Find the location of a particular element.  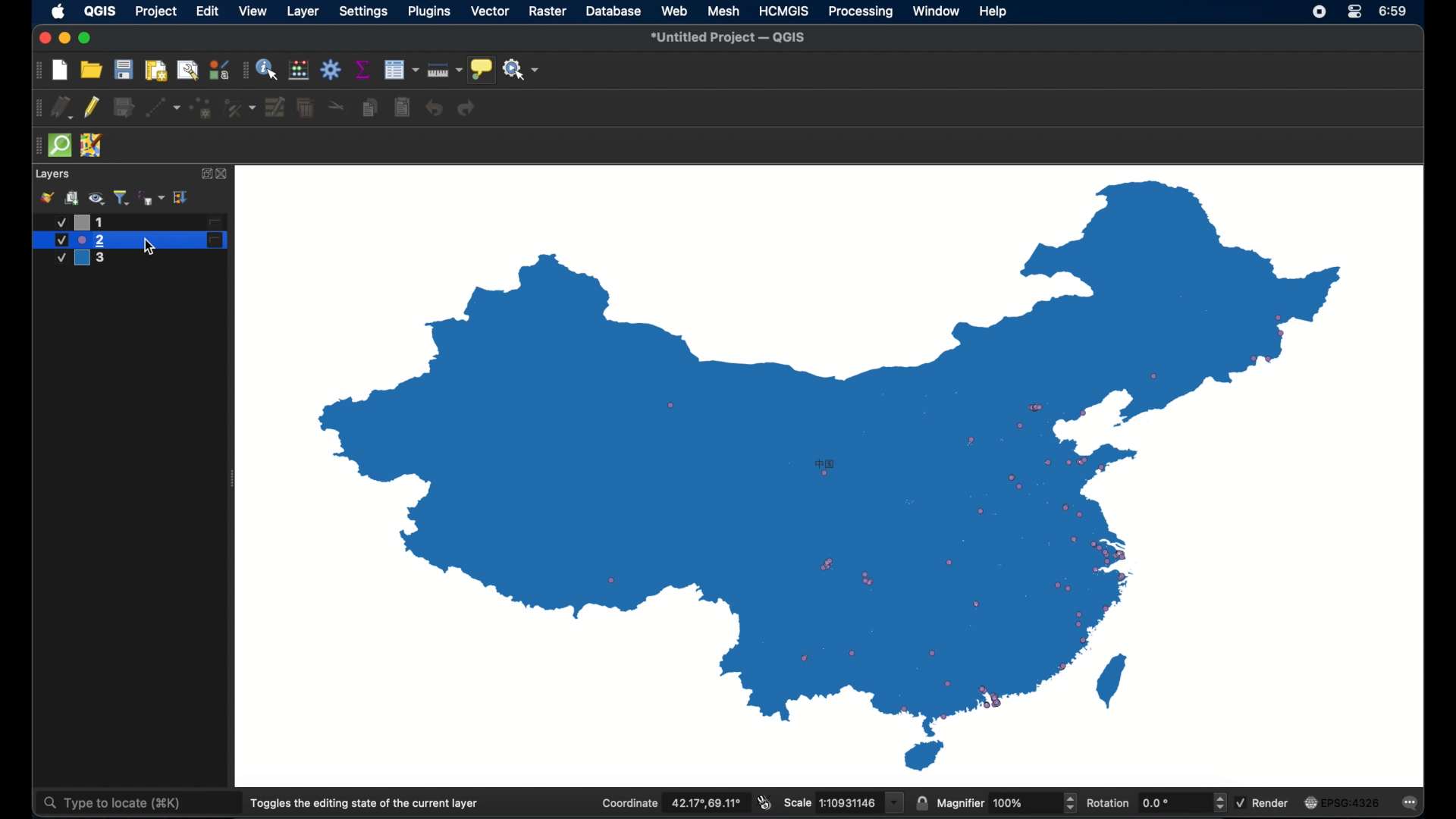

control  center is located at coordinates (1317, 13).